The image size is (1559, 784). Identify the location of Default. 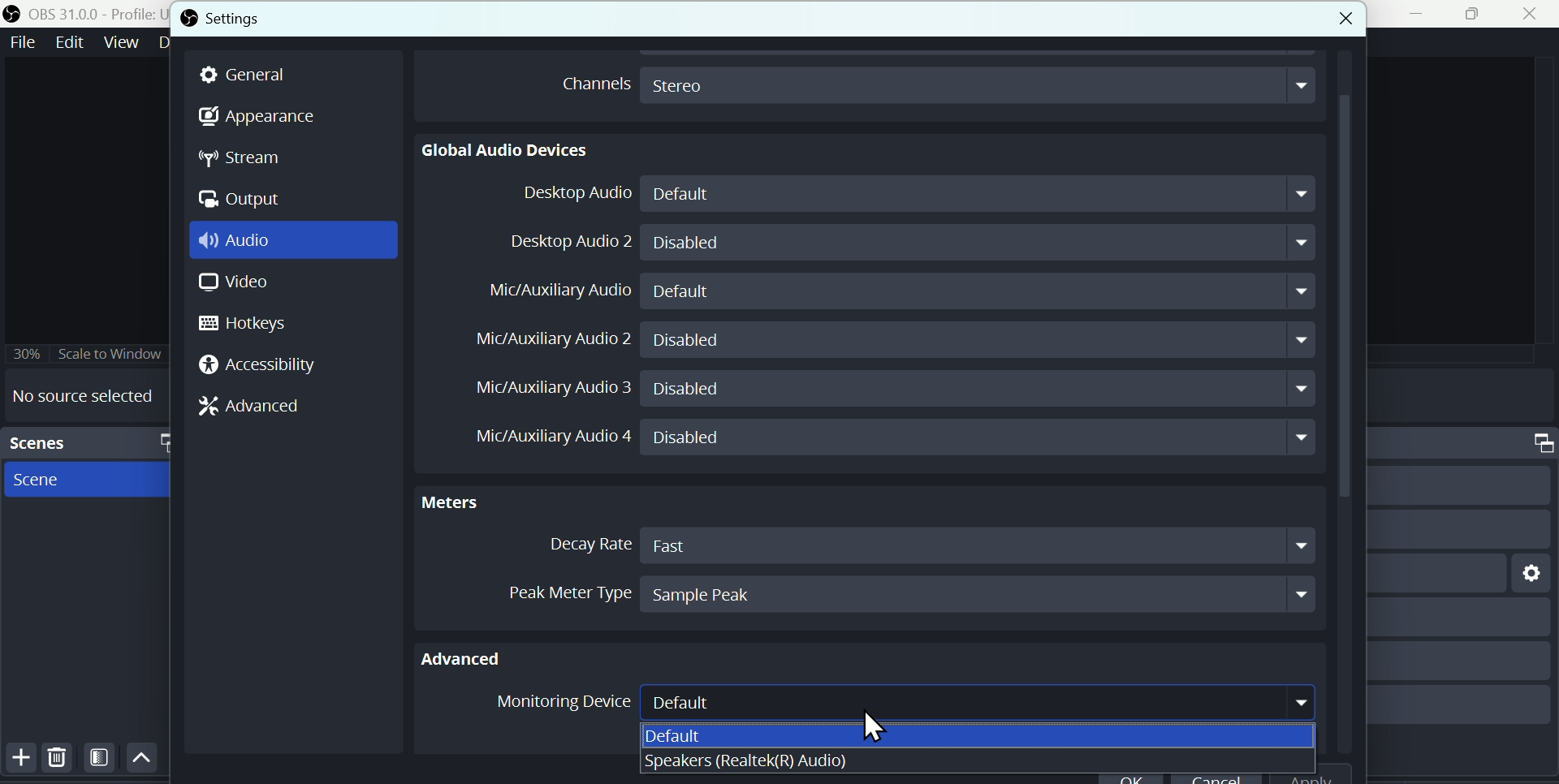
(982, 291).